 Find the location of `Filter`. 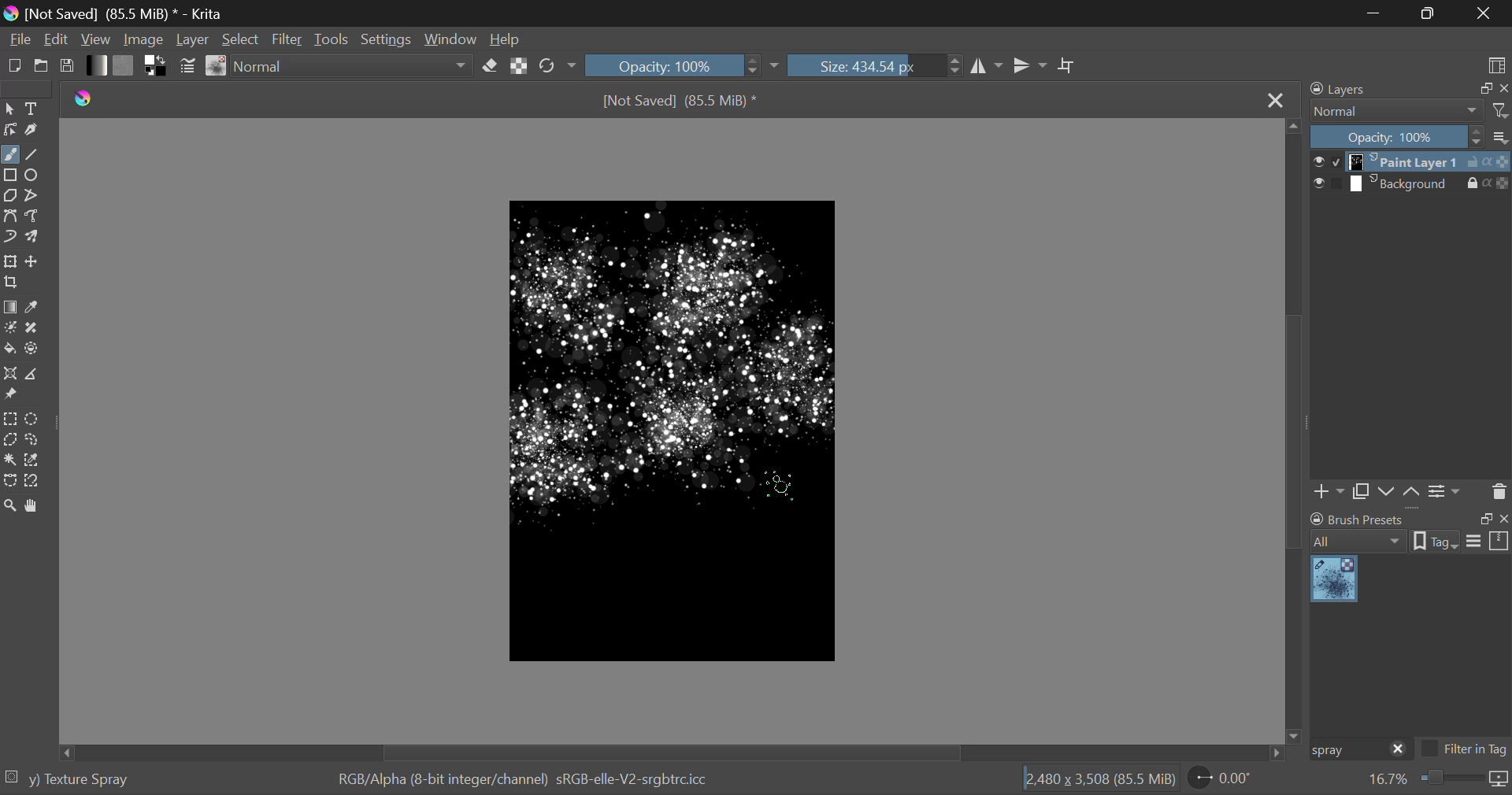

Filter is located at coordinates (287, 39).